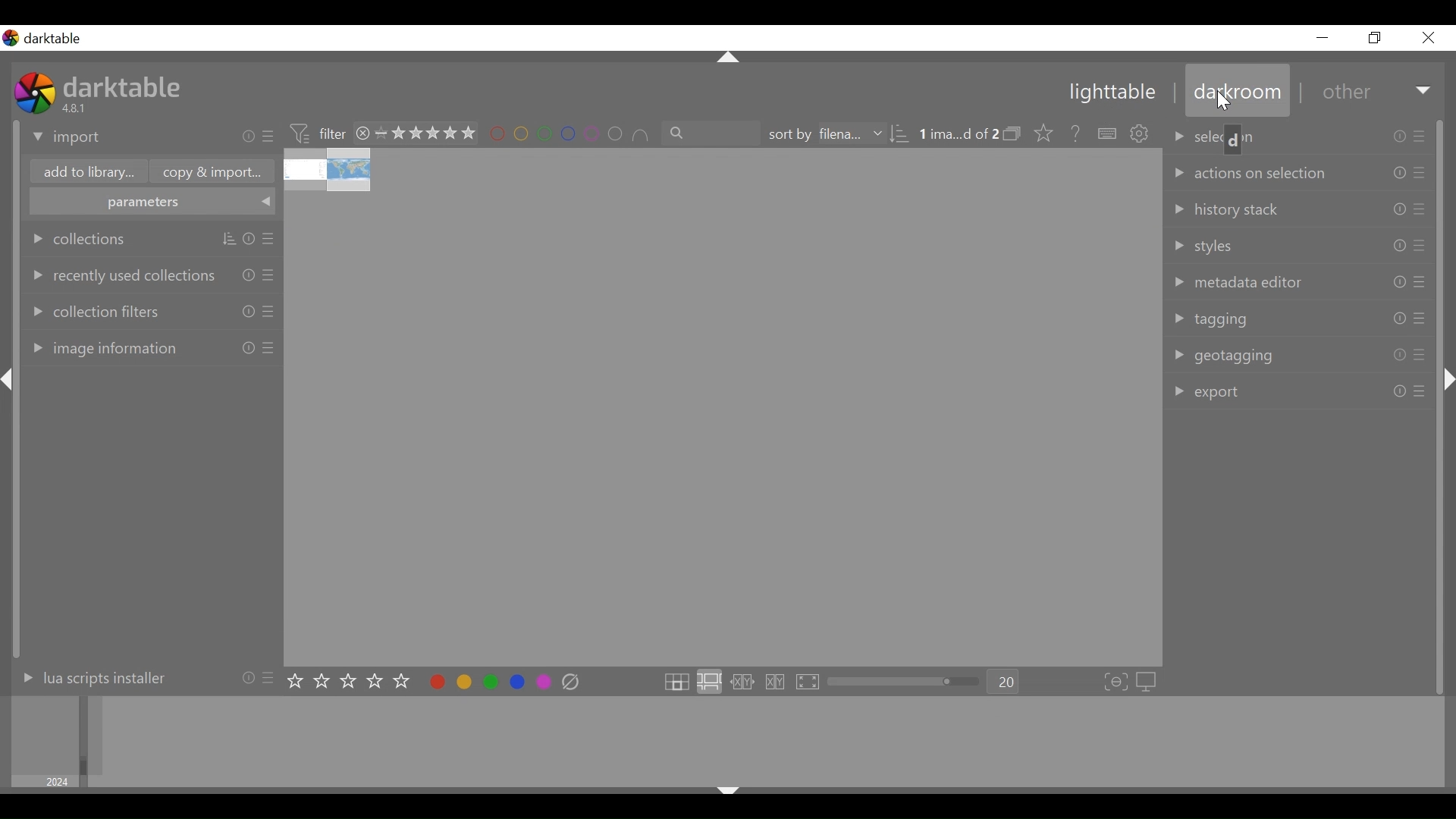 The height and width of the screenshot is (819, 1456). I want to click on , so click(1400, 355).